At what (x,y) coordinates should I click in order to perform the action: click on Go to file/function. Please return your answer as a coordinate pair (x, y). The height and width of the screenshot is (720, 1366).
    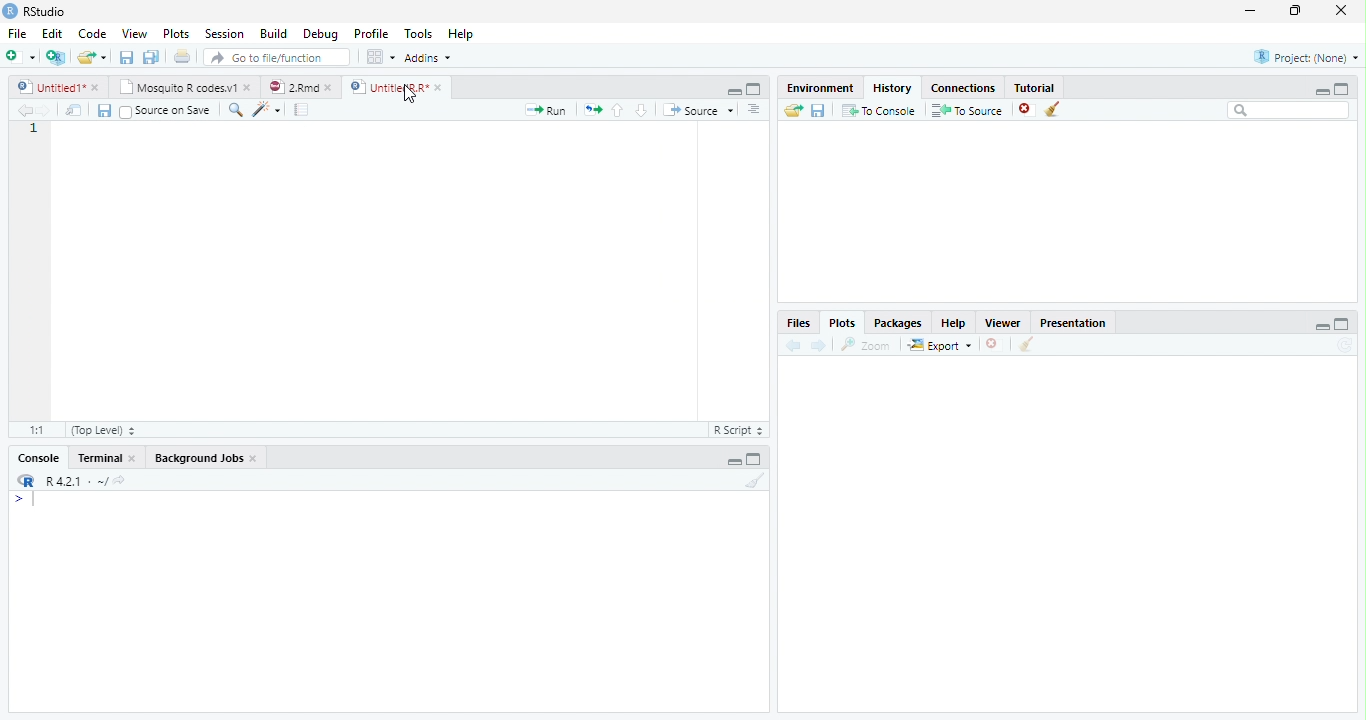
    Looking at the image, I should click on (278, 57).